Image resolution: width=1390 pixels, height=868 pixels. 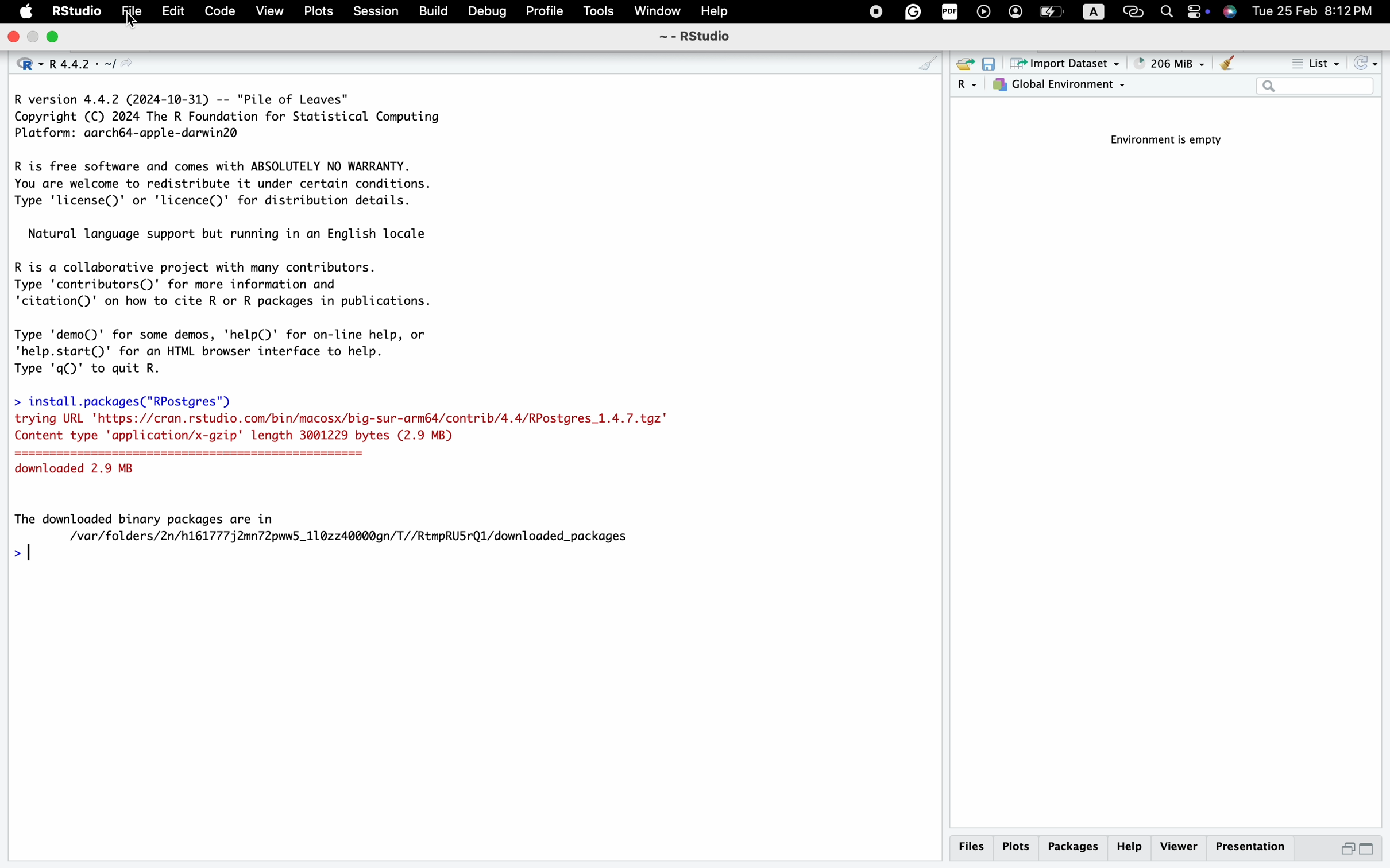 What do you see at coordinates (1095, 12) in the screenshot?
I see `A` at bounding box center [1095, 12].